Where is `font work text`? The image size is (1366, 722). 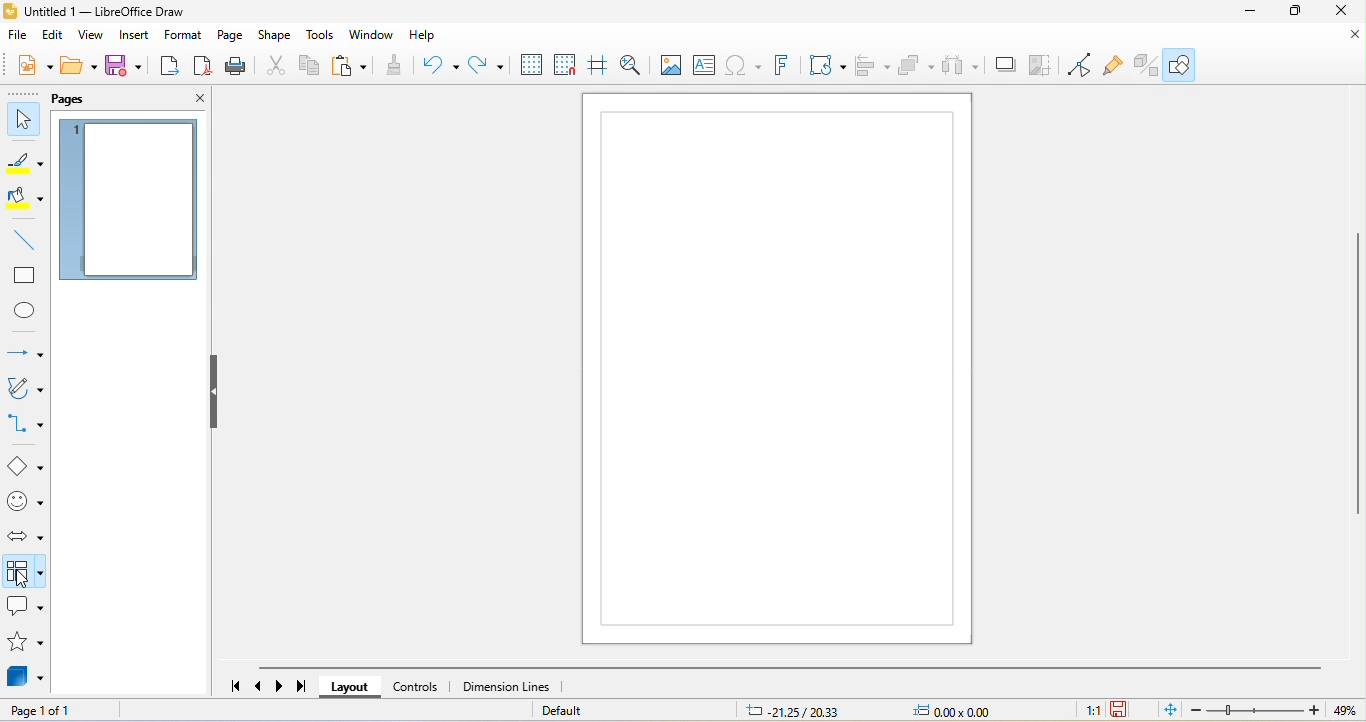
font work text is located at coordinates (787, 68).